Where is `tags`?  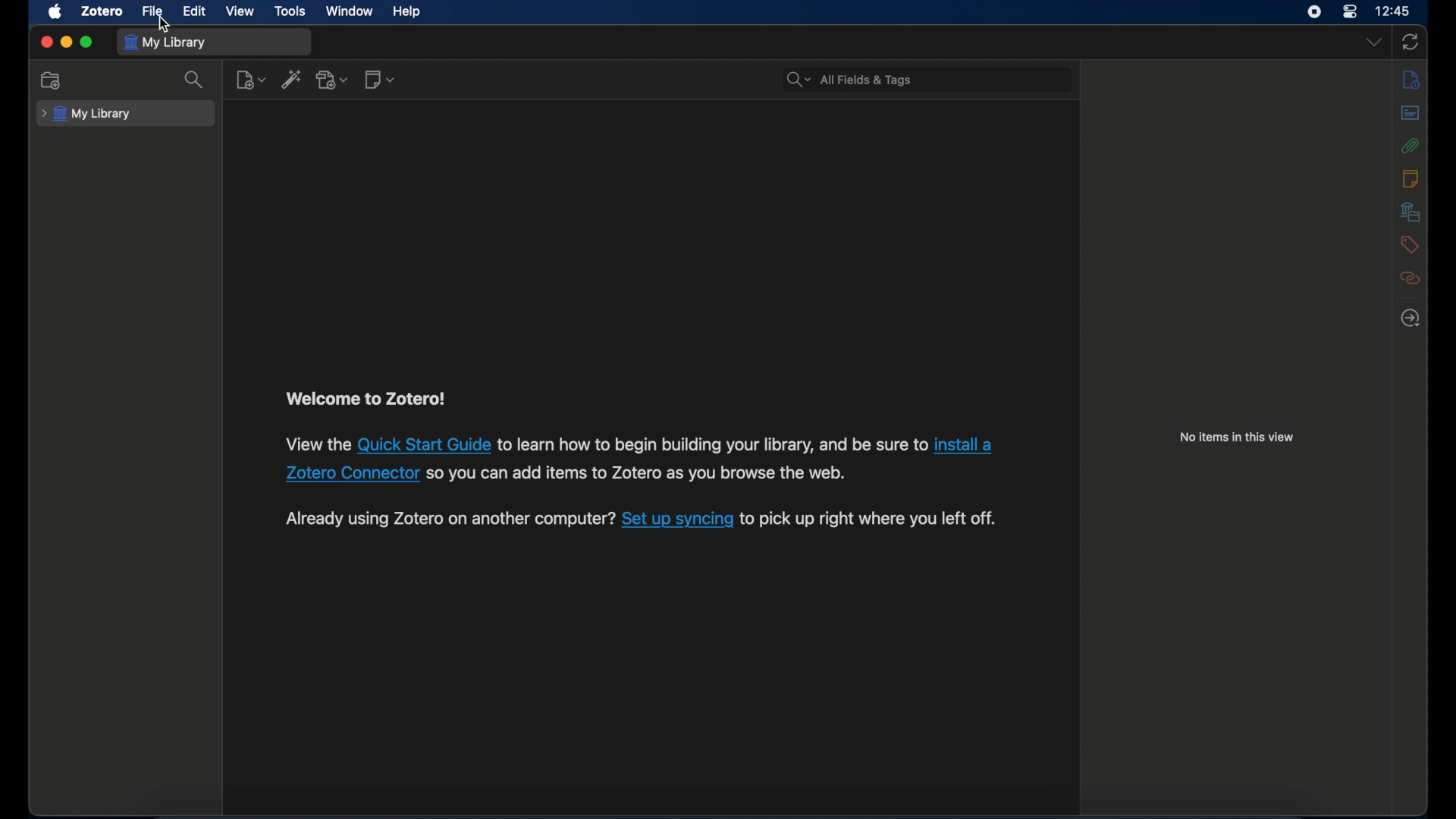
tags is located at coordinates (1410, 245).